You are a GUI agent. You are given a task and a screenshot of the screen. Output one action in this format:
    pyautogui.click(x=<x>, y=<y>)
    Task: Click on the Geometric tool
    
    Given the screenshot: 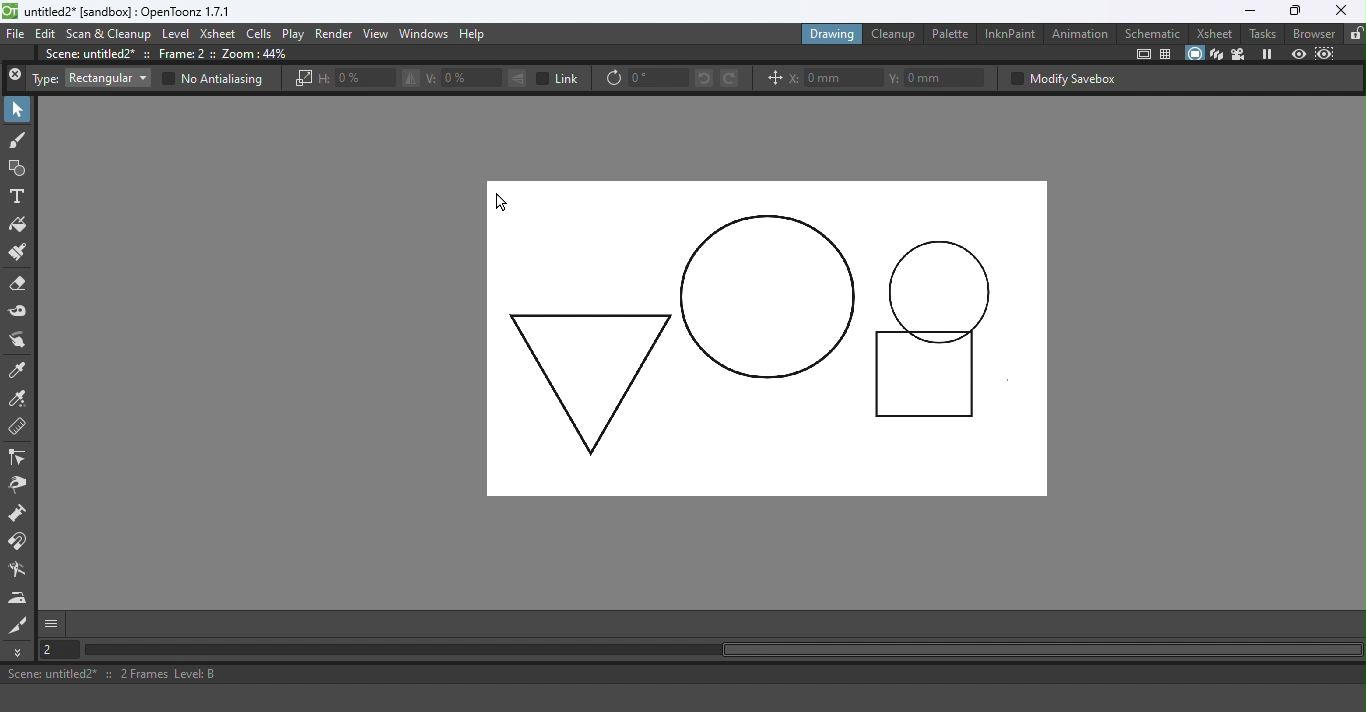 What is the action you would take?
    pyautogui.click(x=18, y=168)
    